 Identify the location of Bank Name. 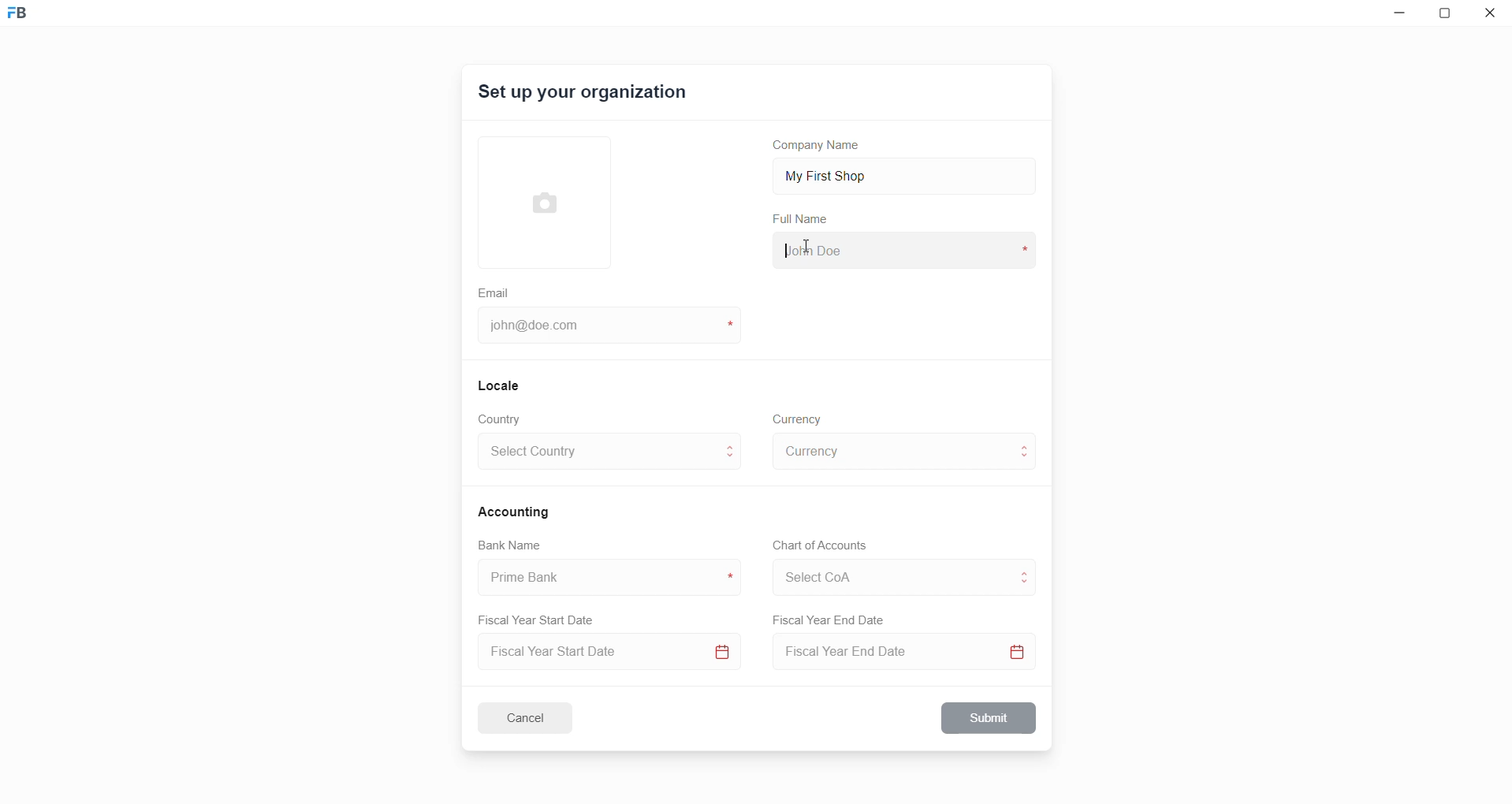
(510, 547).